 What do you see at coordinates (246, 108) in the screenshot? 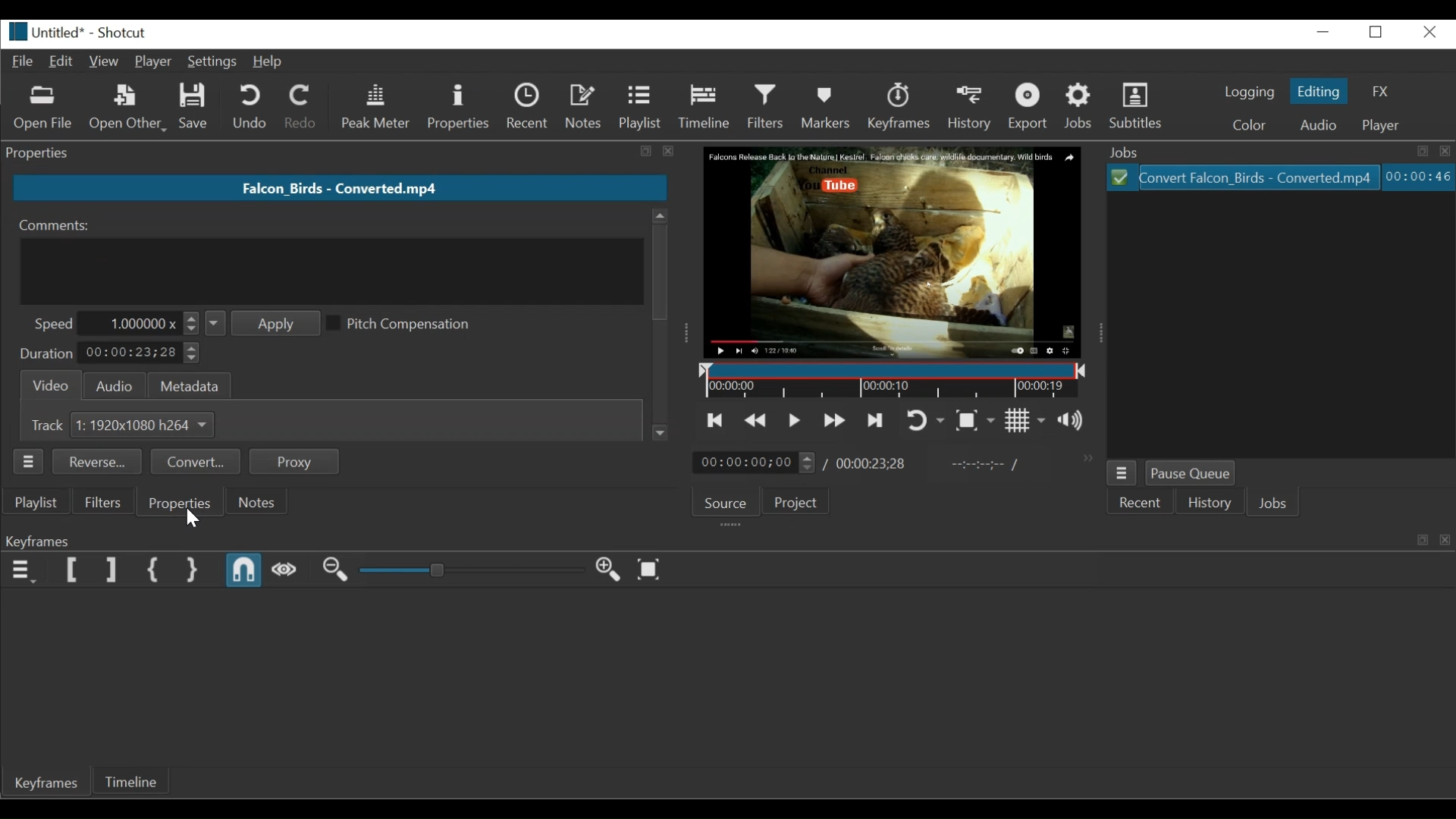
I see `Undo` at bounding box center [246, 108].